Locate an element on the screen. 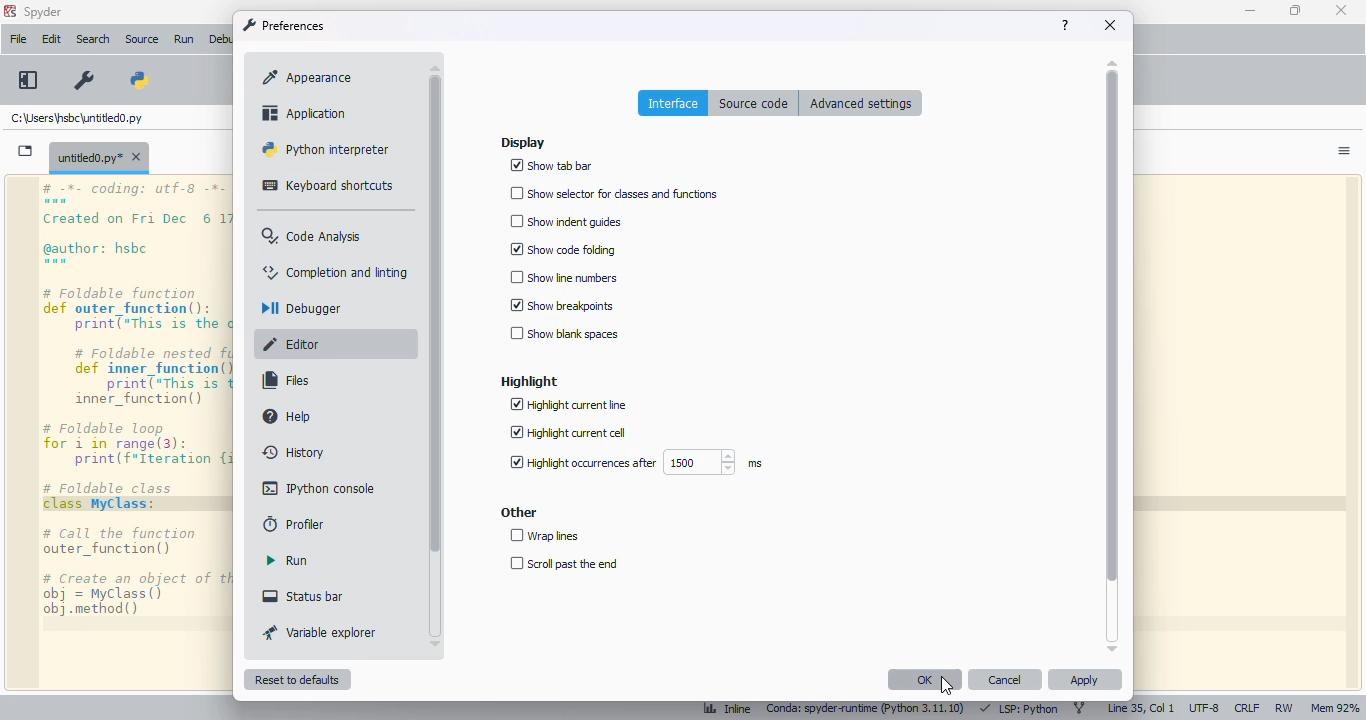 This screenshot has height=720, width=1366. LSP: python is located at coordinates (1018, 709).